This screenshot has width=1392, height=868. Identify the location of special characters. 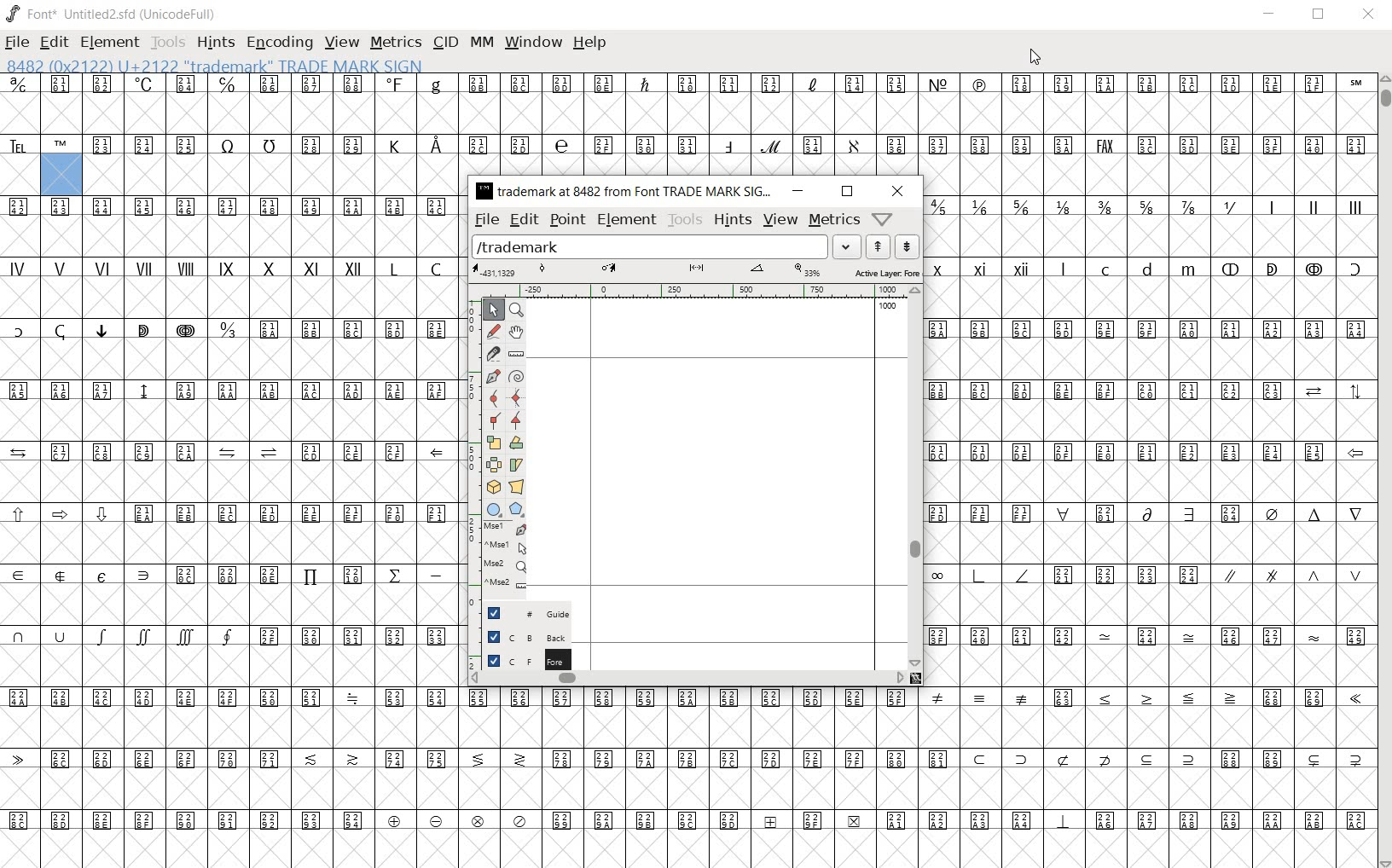
(123, 349).